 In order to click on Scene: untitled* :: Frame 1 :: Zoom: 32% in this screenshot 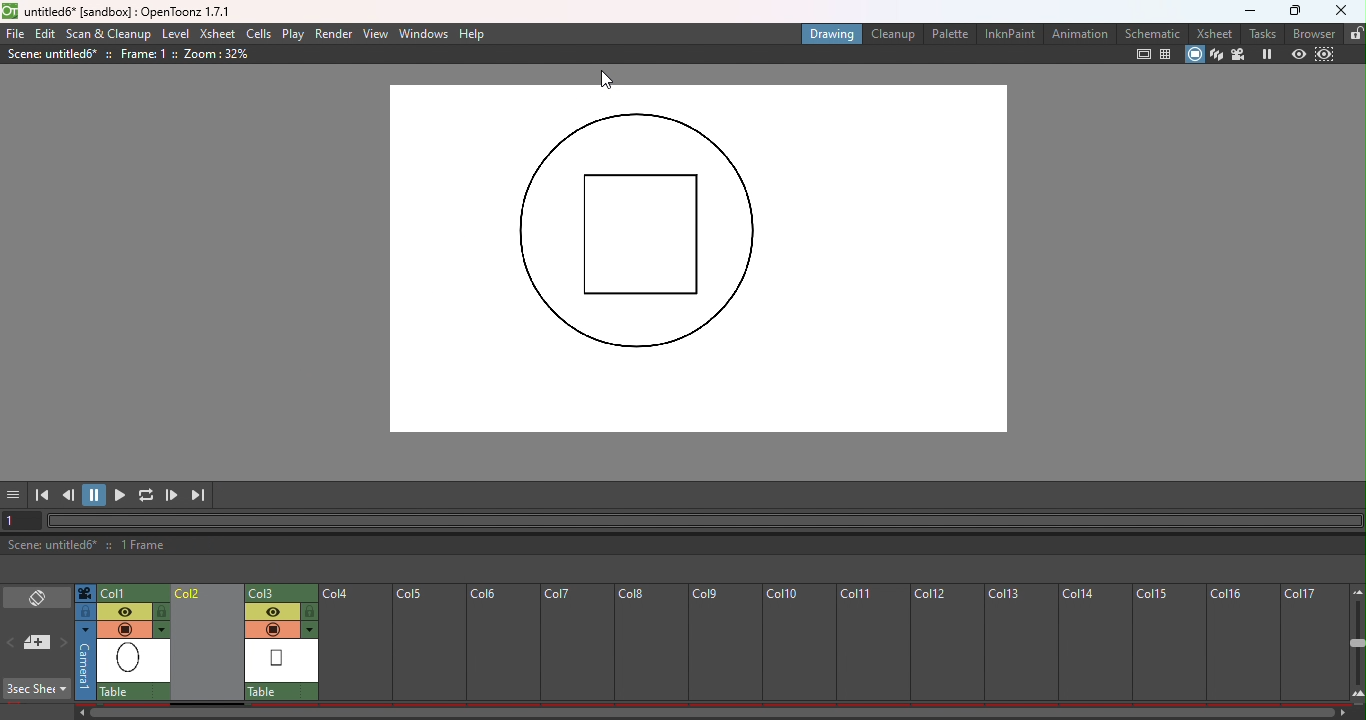, I will do `click(163, 56)`.